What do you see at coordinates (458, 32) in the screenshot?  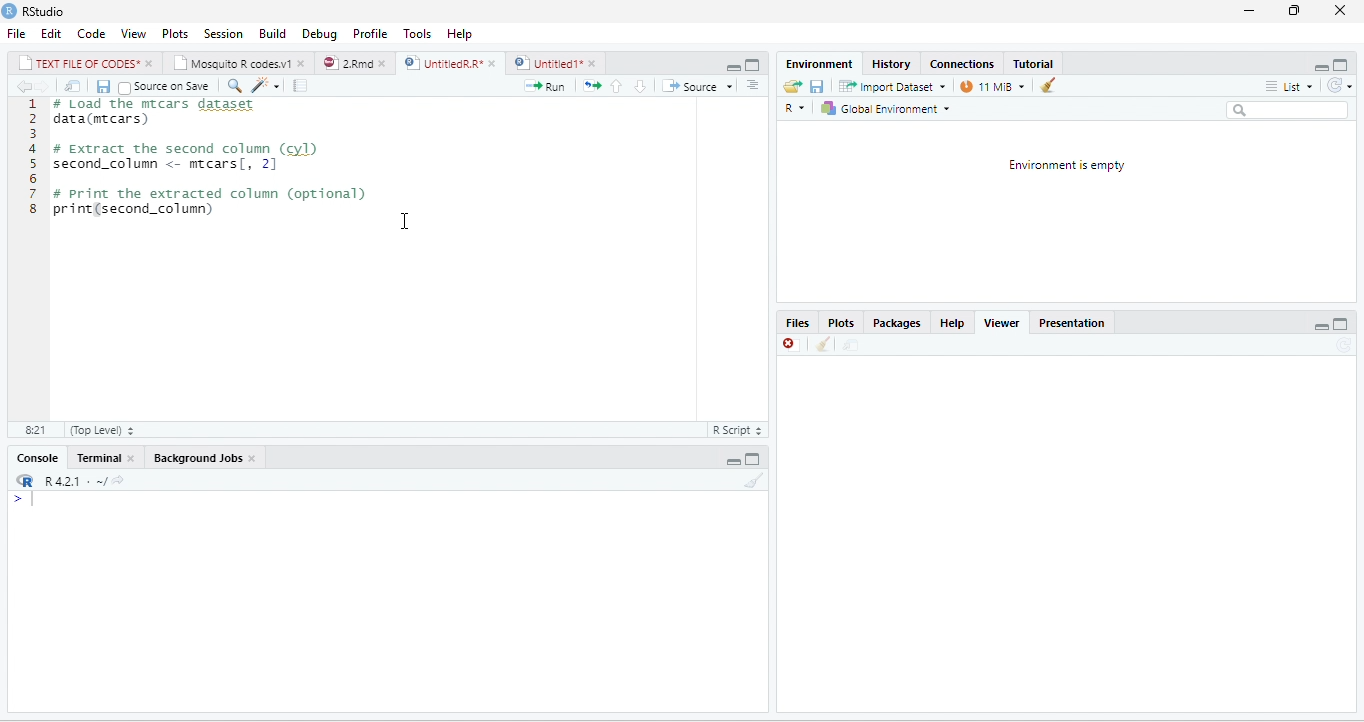 I see `help` at bounding box center [458, 32].